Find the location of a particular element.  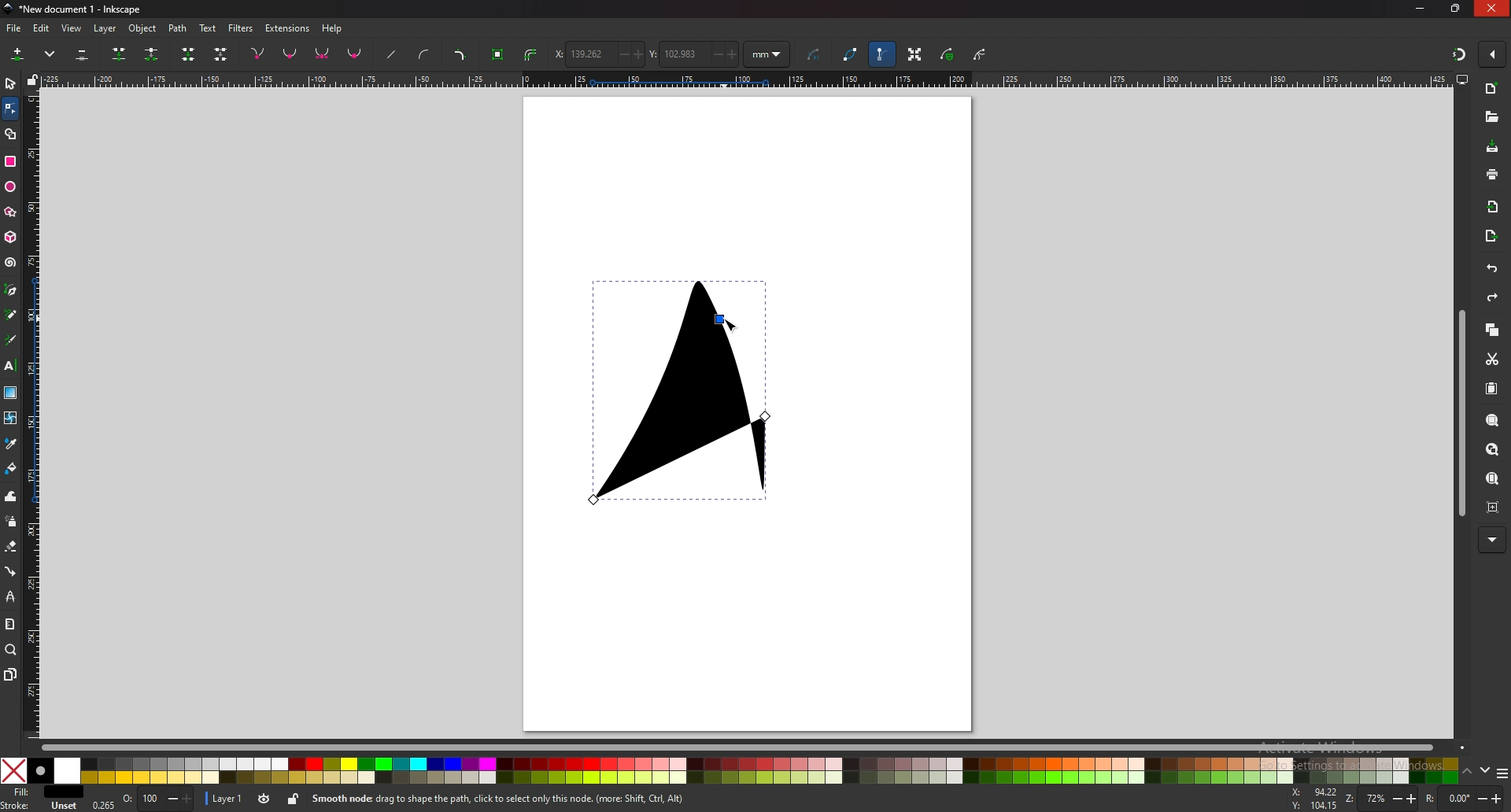

spray is located at coordinates (11, 521).